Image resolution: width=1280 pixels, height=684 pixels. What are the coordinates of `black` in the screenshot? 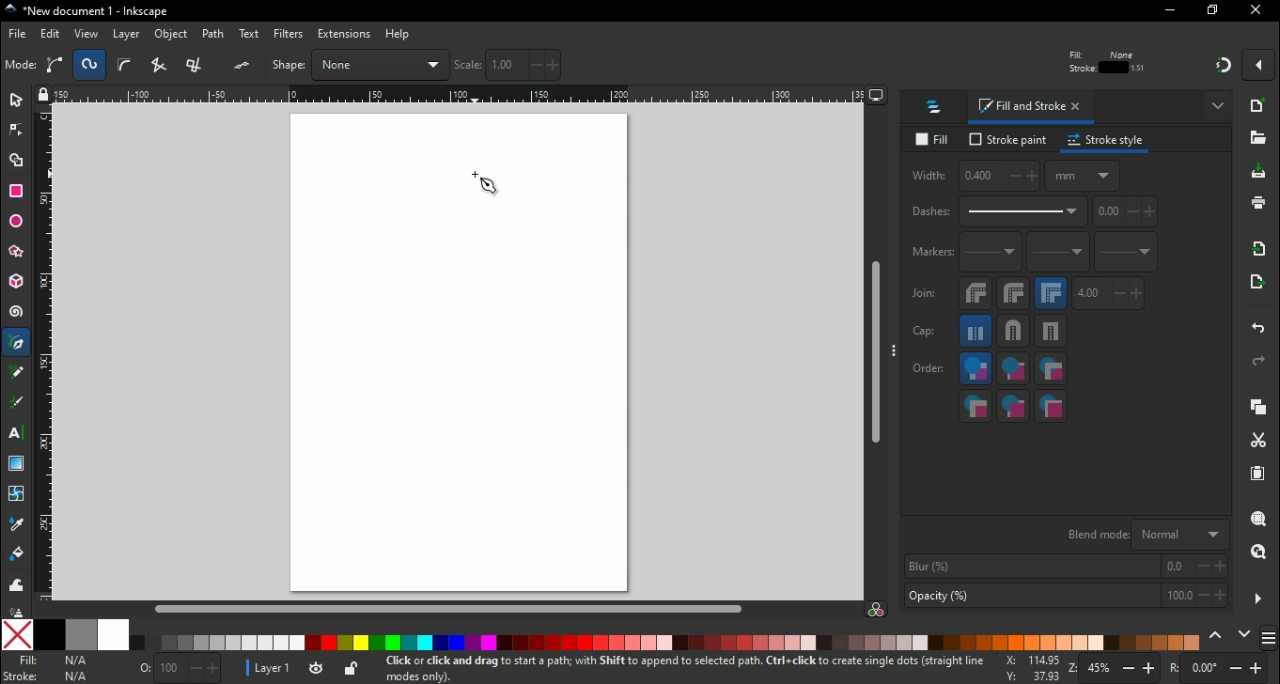 It's located at (50, 635).